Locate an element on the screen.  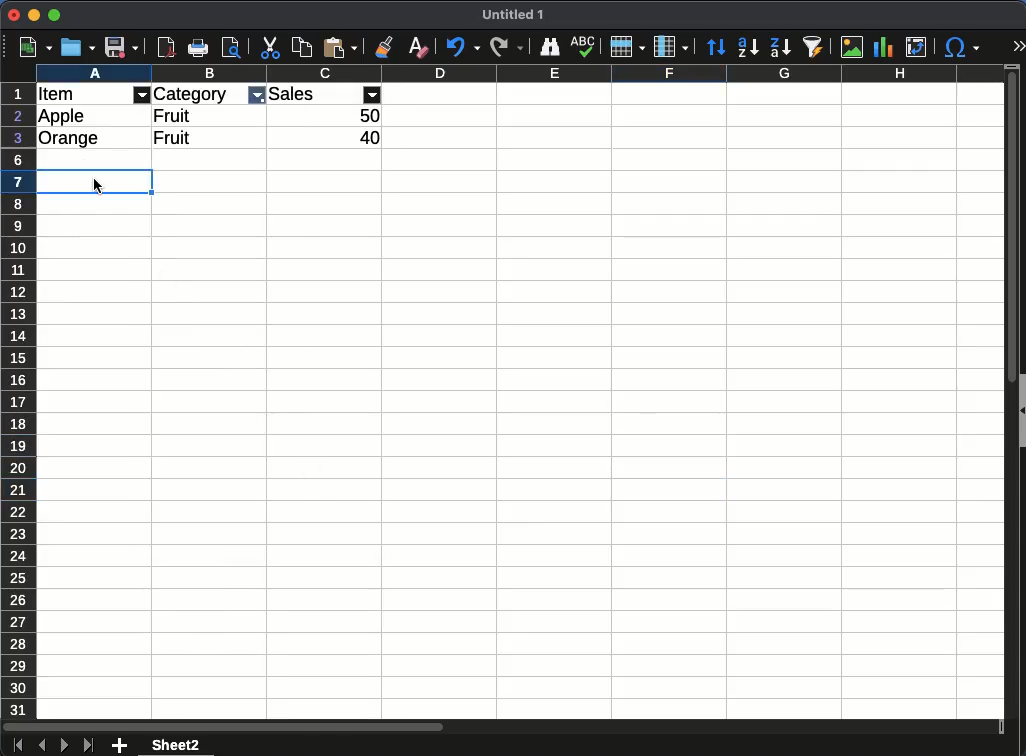
redo is located at coordinates (506, 48).